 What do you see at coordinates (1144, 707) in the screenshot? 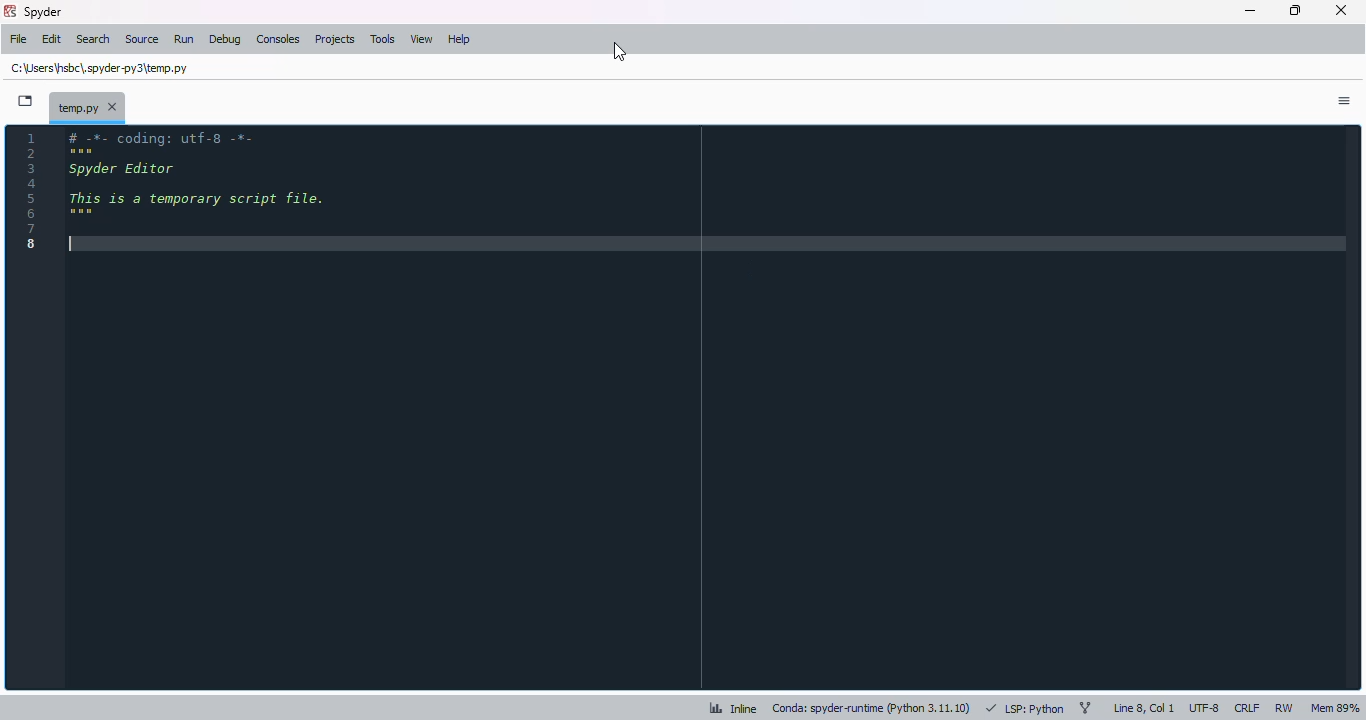
I see `line 8, col 1` at bounding box center [1144, 707].